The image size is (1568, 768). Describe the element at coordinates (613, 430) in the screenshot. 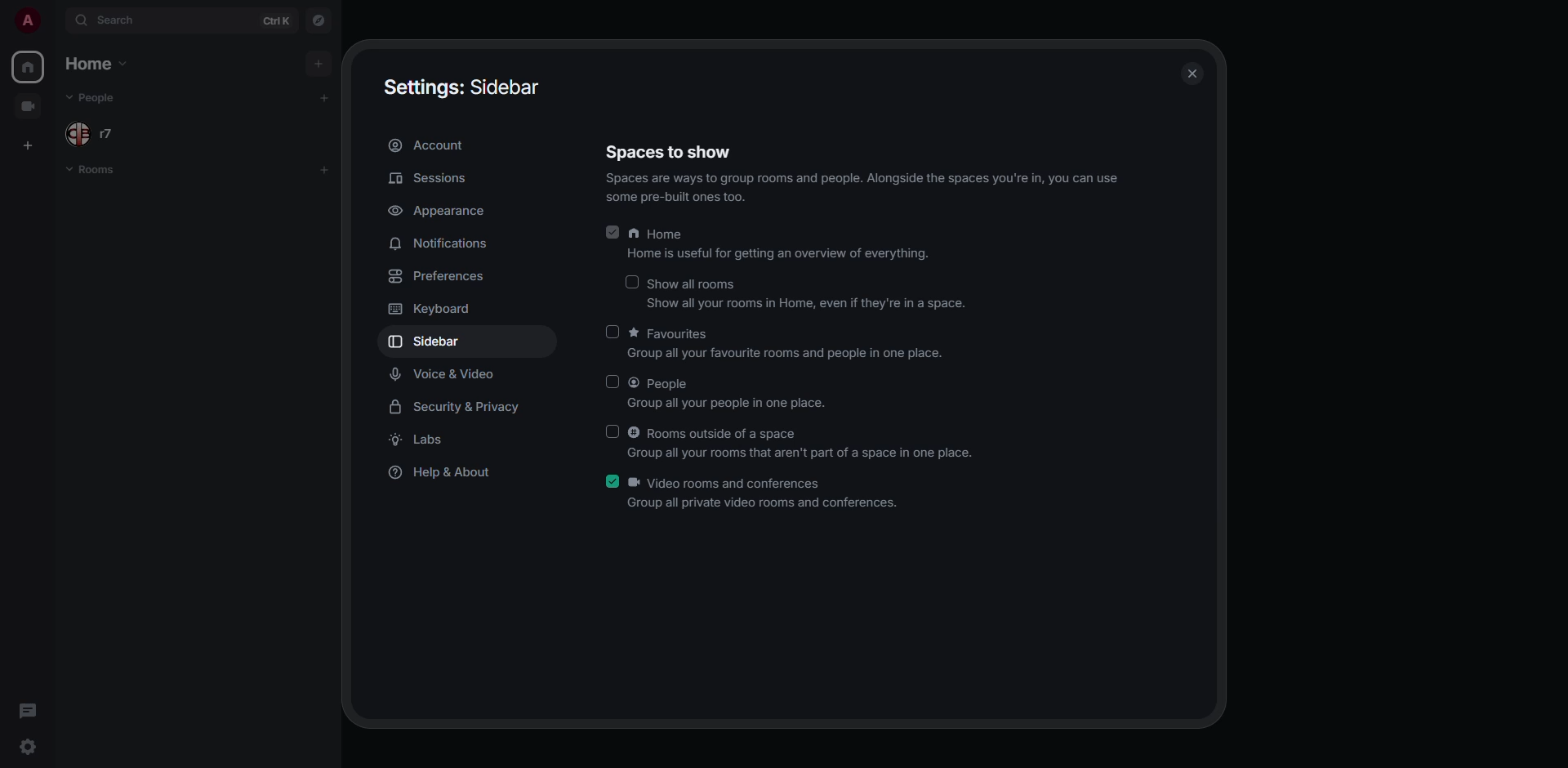

I see `click to enable` at that location.